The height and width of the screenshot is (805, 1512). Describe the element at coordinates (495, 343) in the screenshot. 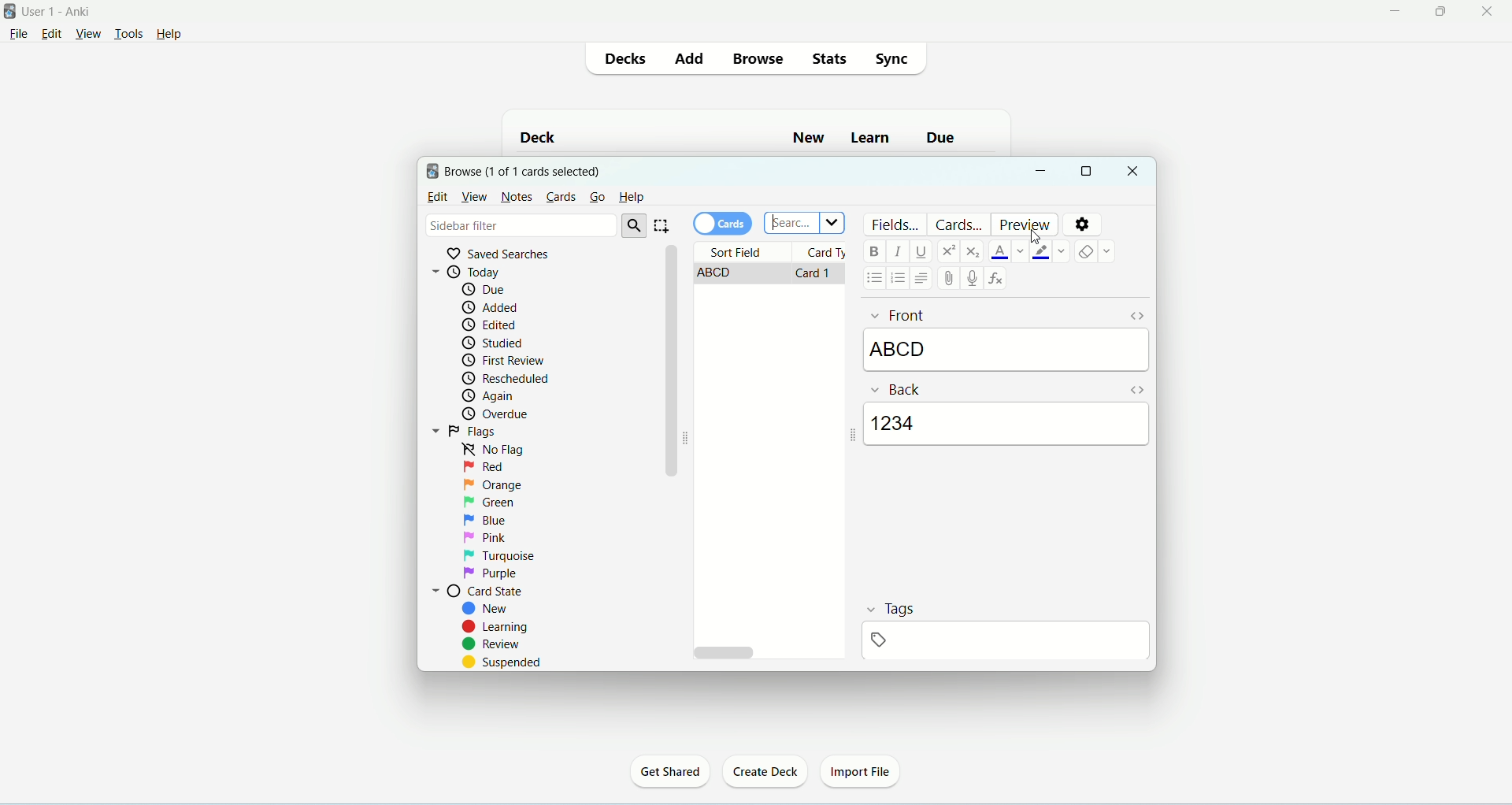

I see `studied` at that location.